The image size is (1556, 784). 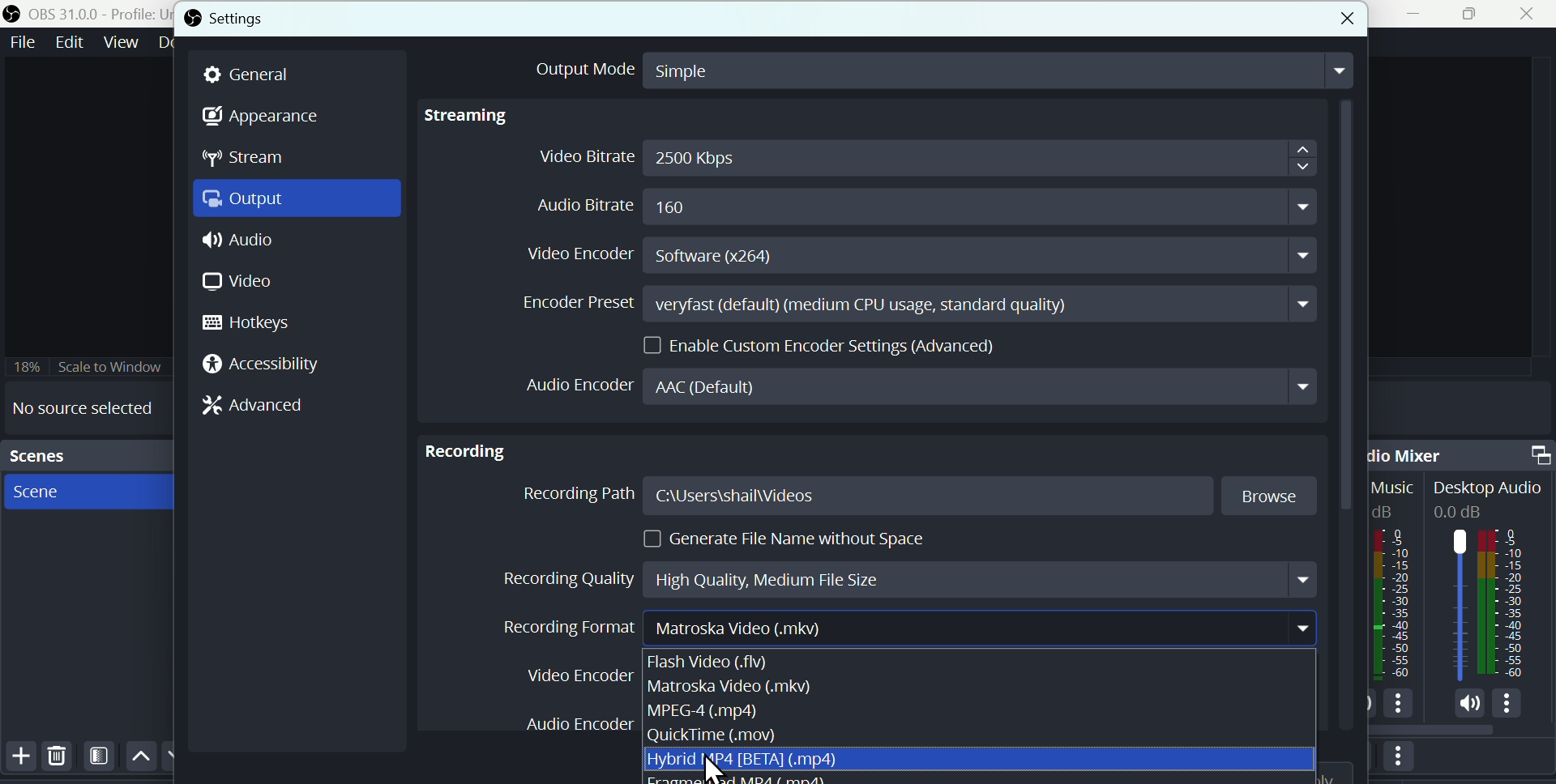 I want to click on Up, so click(x=143, y=761).